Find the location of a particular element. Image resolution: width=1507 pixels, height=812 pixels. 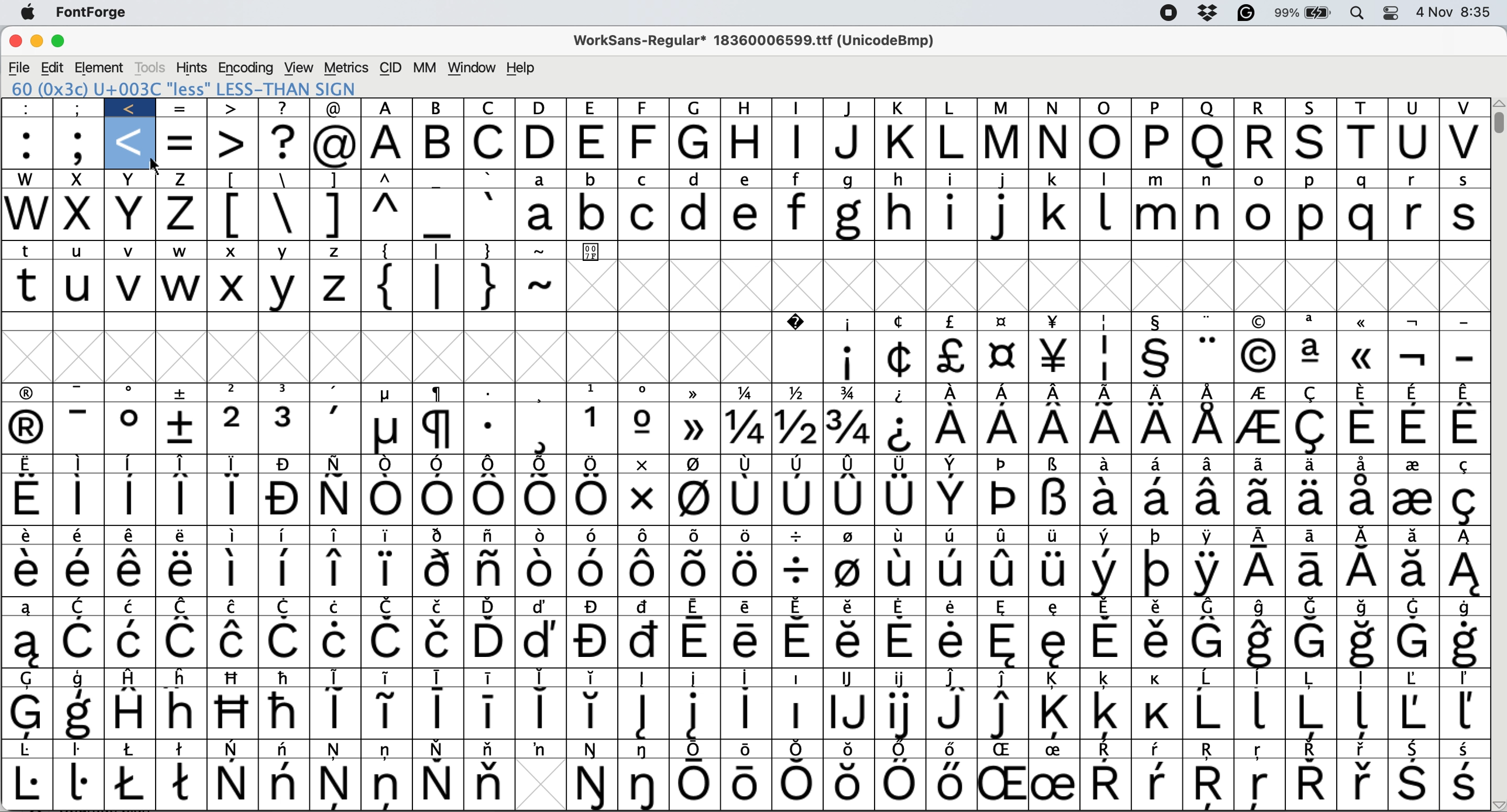

Symbol is located at coordinates (1107, 465).